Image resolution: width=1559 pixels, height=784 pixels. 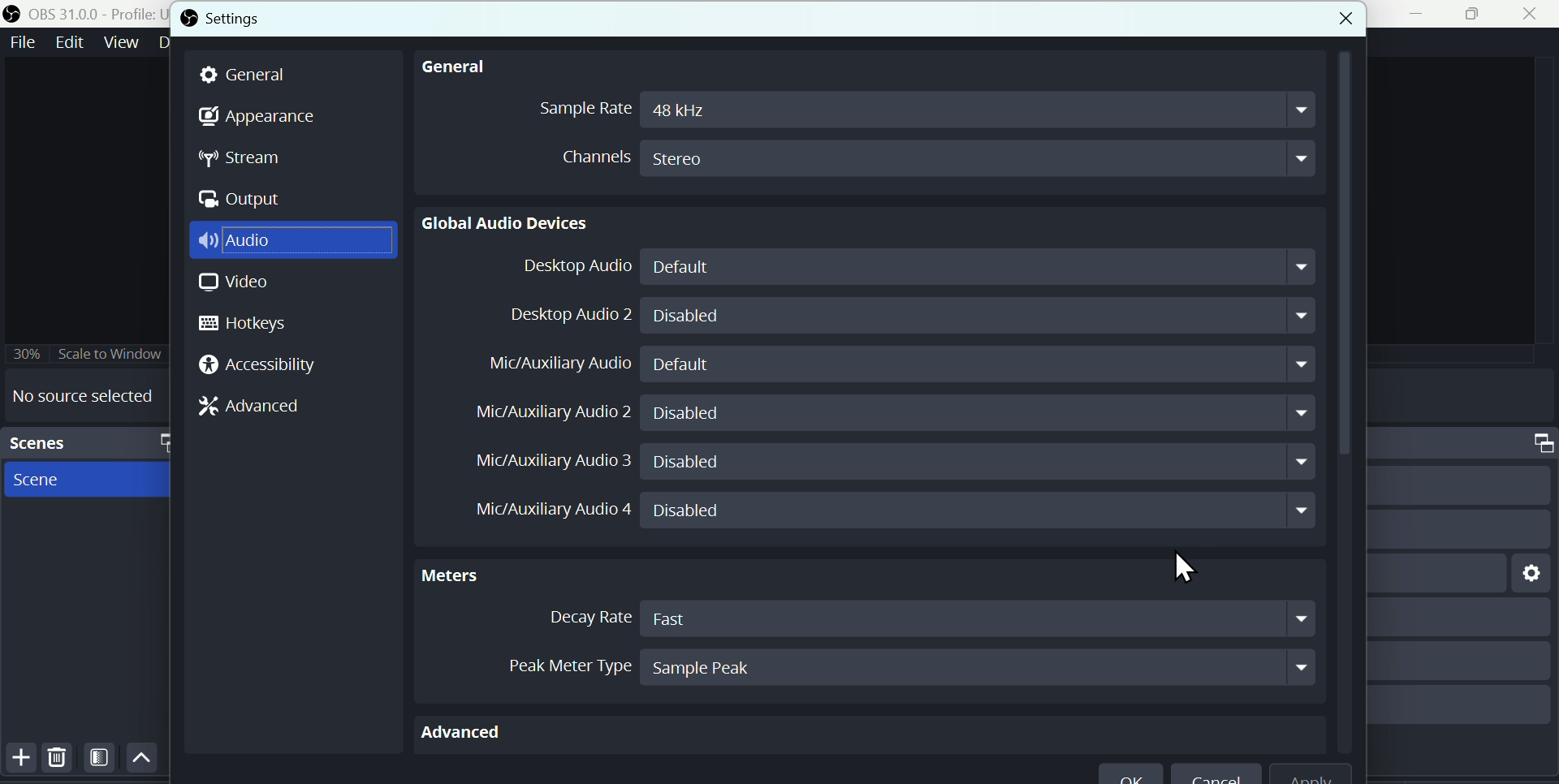 What do you see at coordinates (123, 41) in the screenshot?
I see `Views` at bounding box center [123, 41].